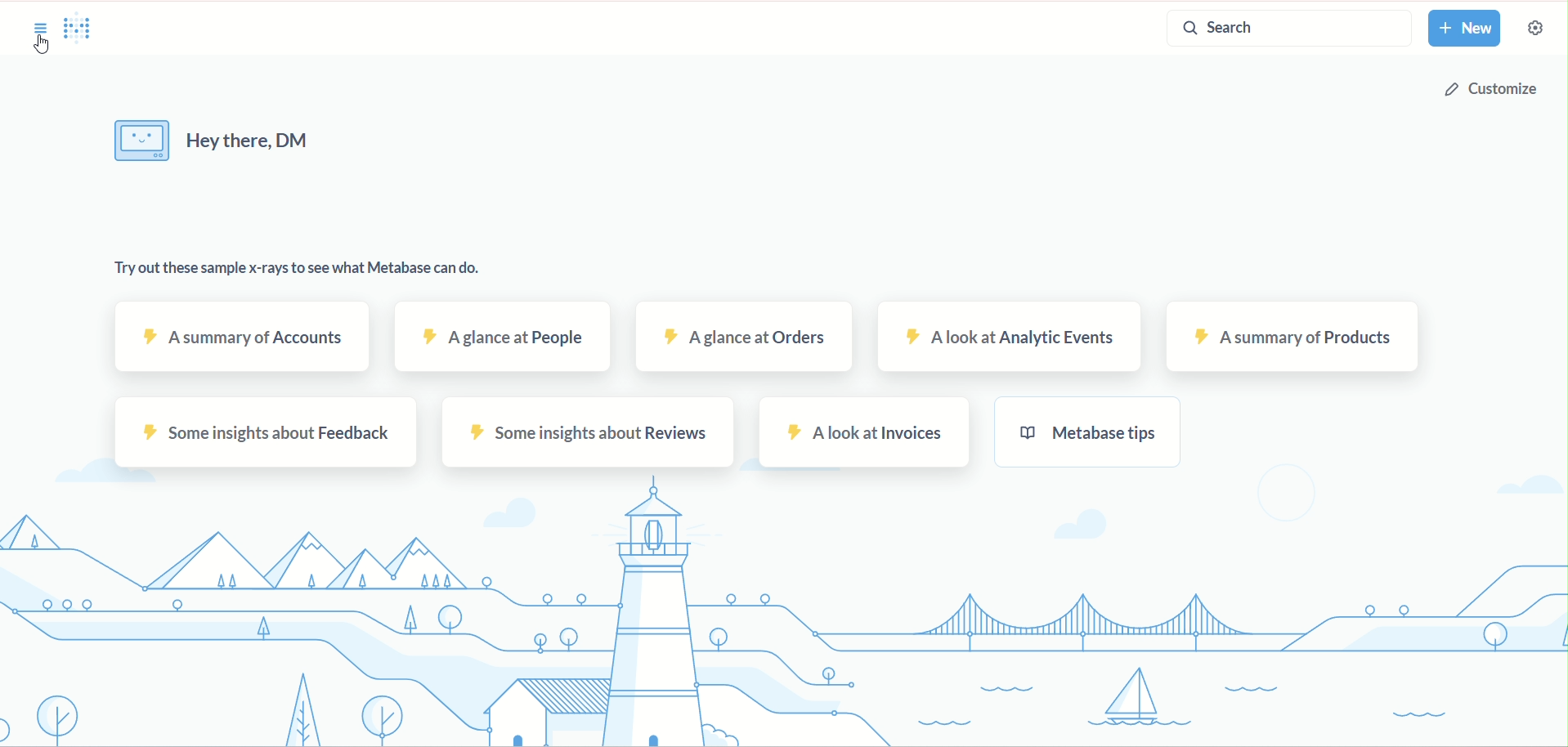 The height and width of the screenshot is (747, 1568). Describe the element at coordinates (217, 145) in the screenshot. I see `Hey there,DM` at that location.